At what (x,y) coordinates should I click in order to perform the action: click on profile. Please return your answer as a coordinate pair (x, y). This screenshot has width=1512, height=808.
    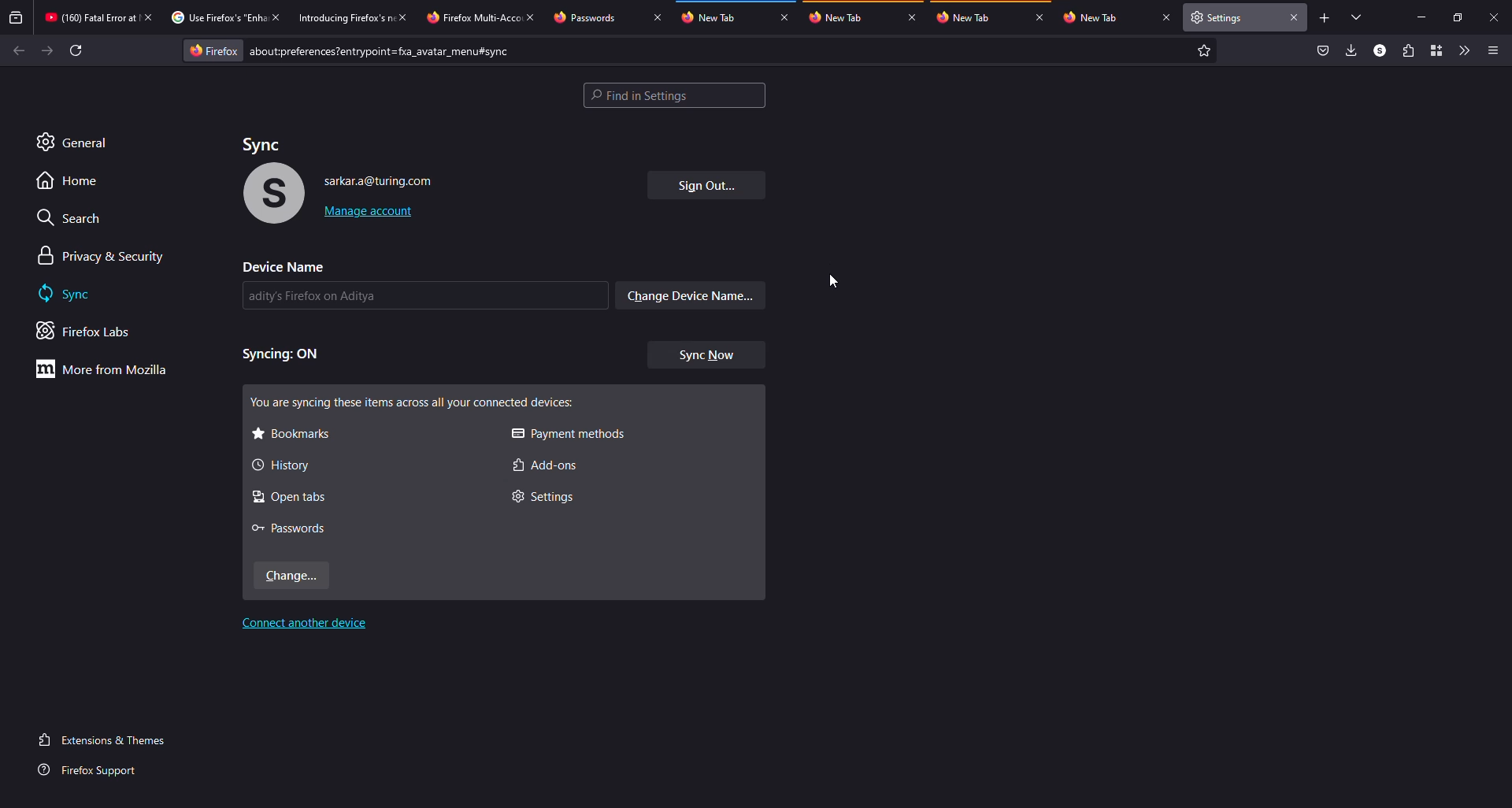
    Looking at the image, I should click on (1381, 50).